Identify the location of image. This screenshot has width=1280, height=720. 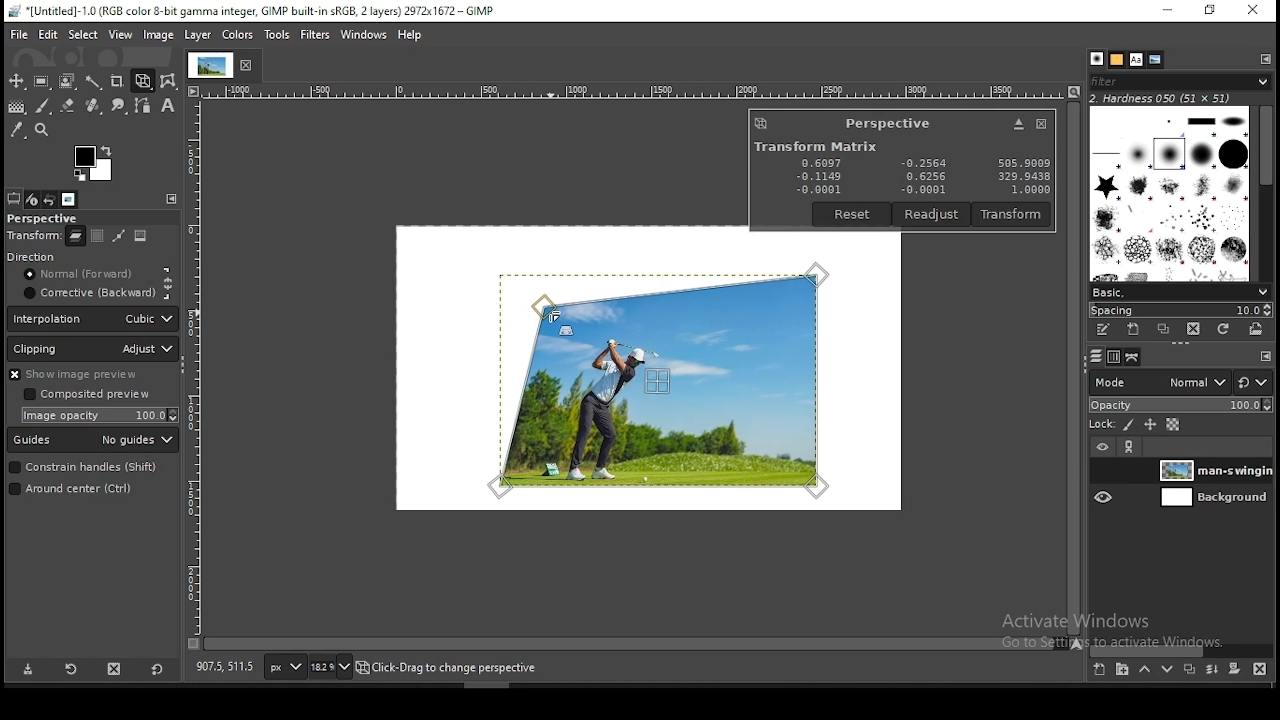
(235, 34).